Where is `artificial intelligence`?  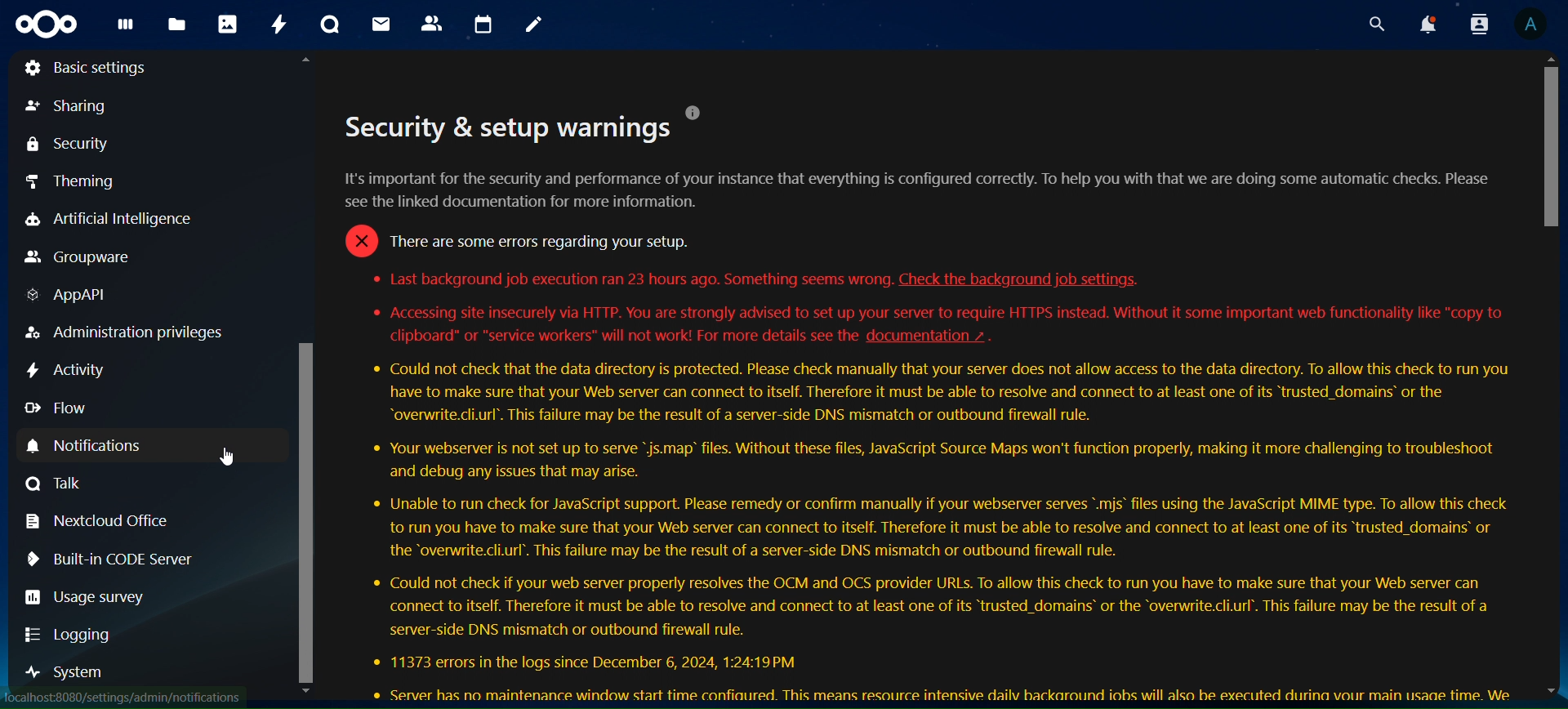
artificial intelligence is located at coordinates (122, 216).